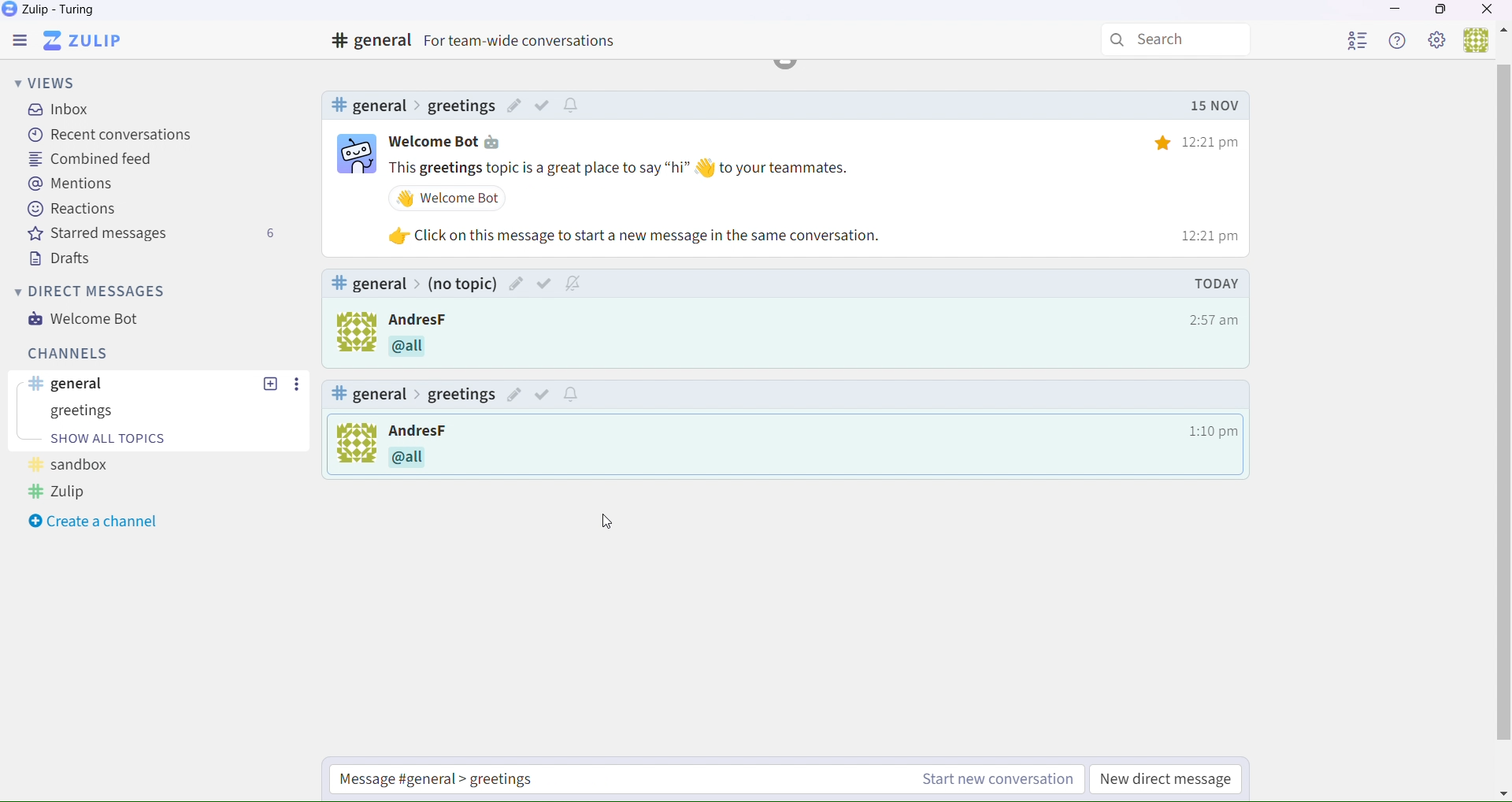  Describe the element at coordinates (417, 350) in the screenshot. I see `` at that location.